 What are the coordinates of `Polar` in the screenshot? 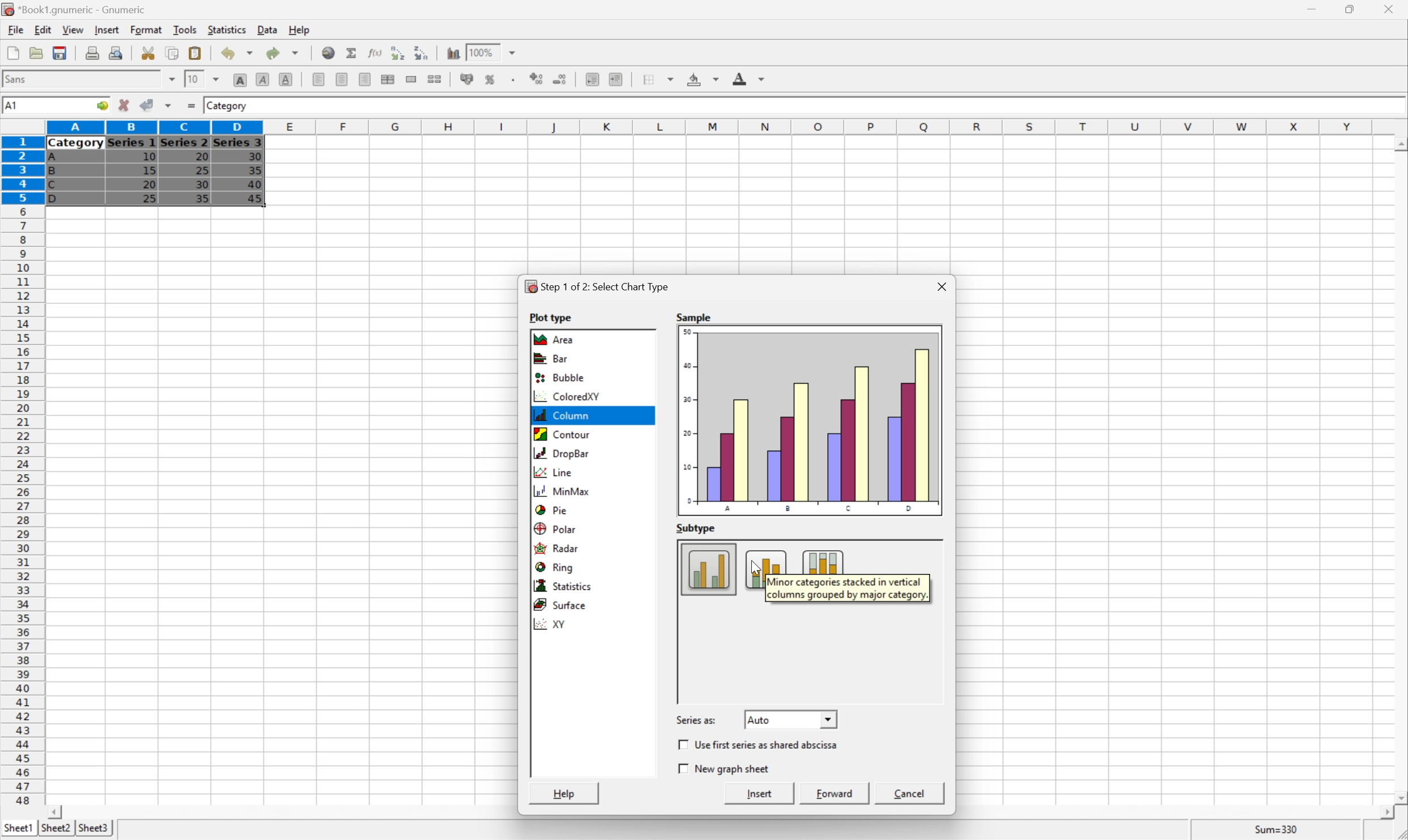 It's located at (557, 529).